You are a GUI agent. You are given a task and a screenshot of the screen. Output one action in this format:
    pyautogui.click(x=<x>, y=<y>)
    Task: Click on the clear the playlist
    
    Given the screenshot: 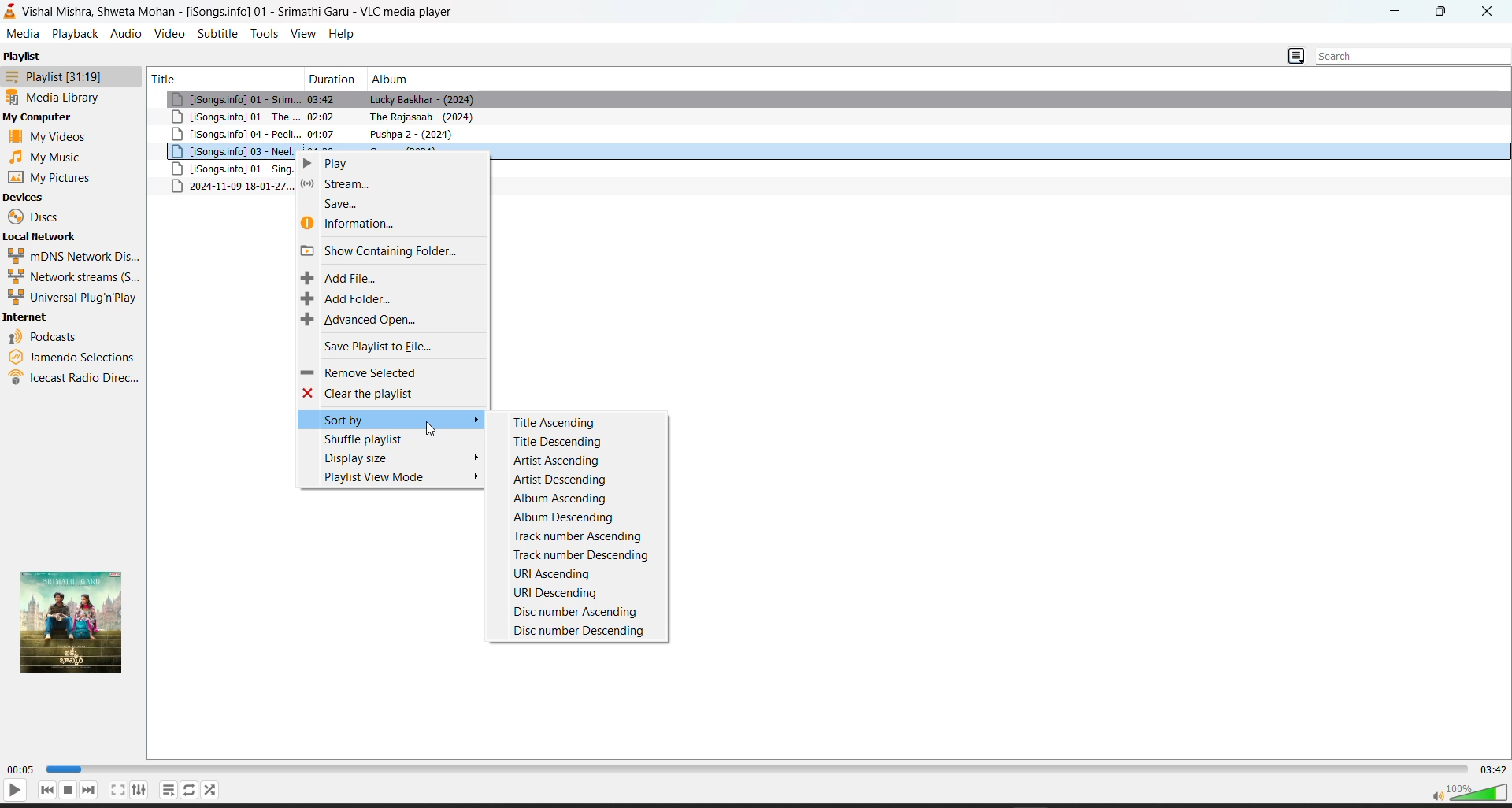 What is the action you would take?
    pyautogui.click(x=393, y=394)
    